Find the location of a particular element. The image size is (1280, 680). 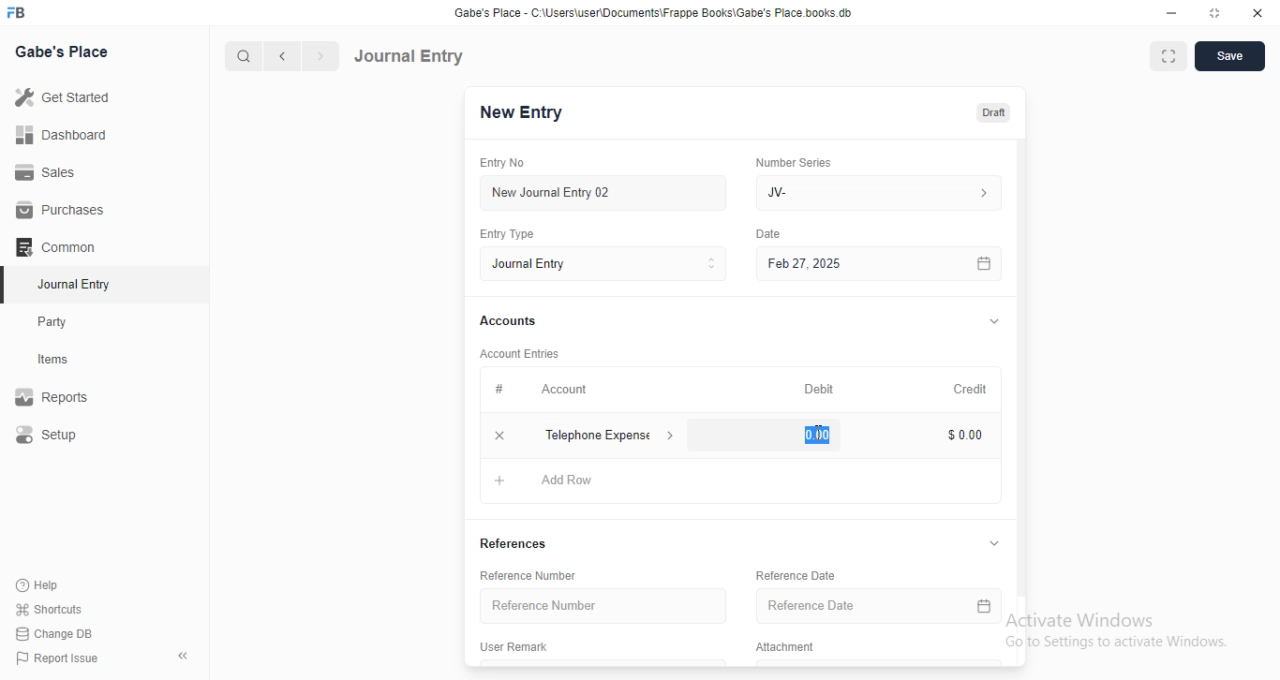

Add is located at coordinates (499, 435).